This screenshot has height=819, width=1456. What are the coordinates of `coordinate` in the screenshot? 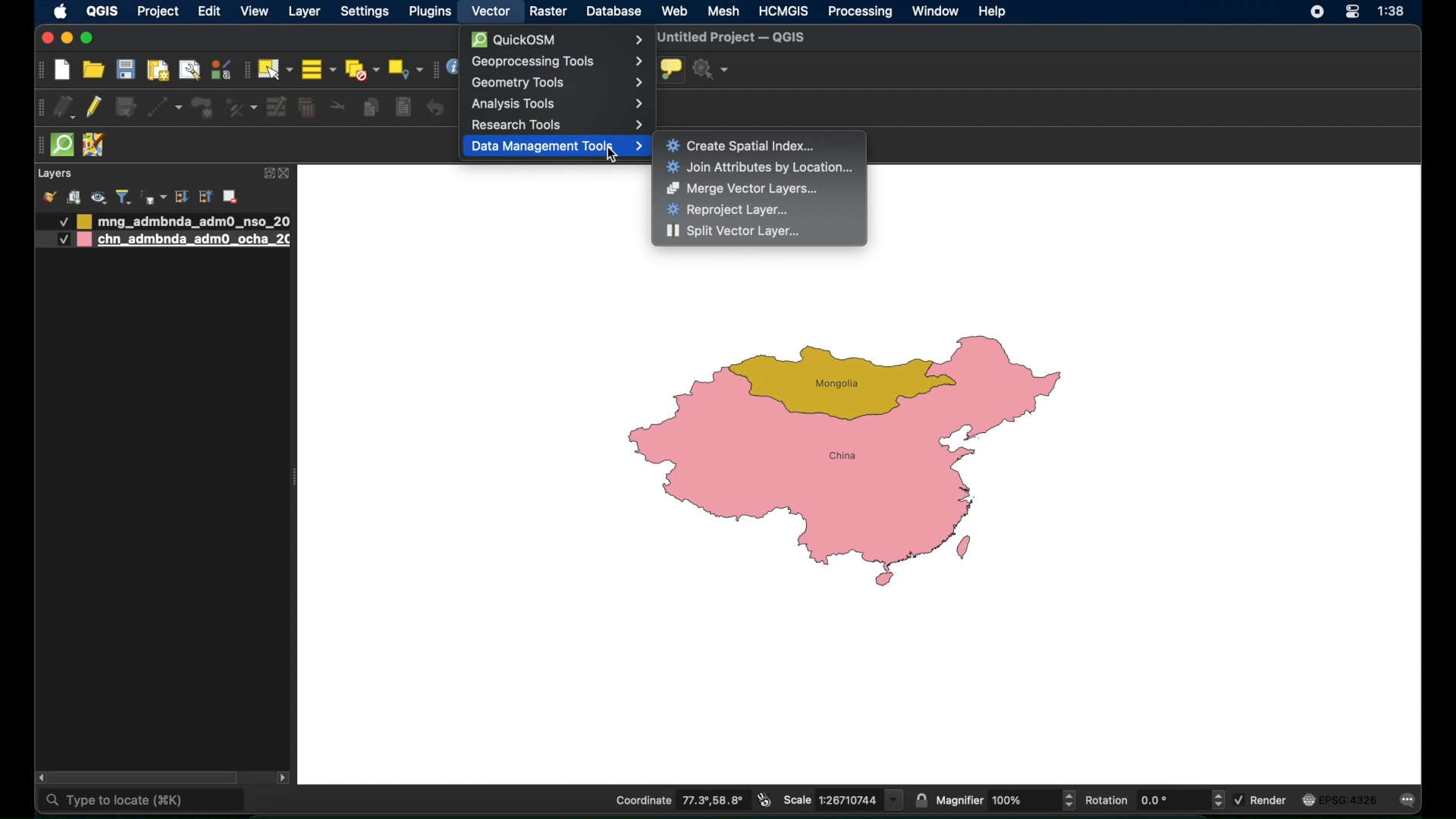 It's located at (680, 801).